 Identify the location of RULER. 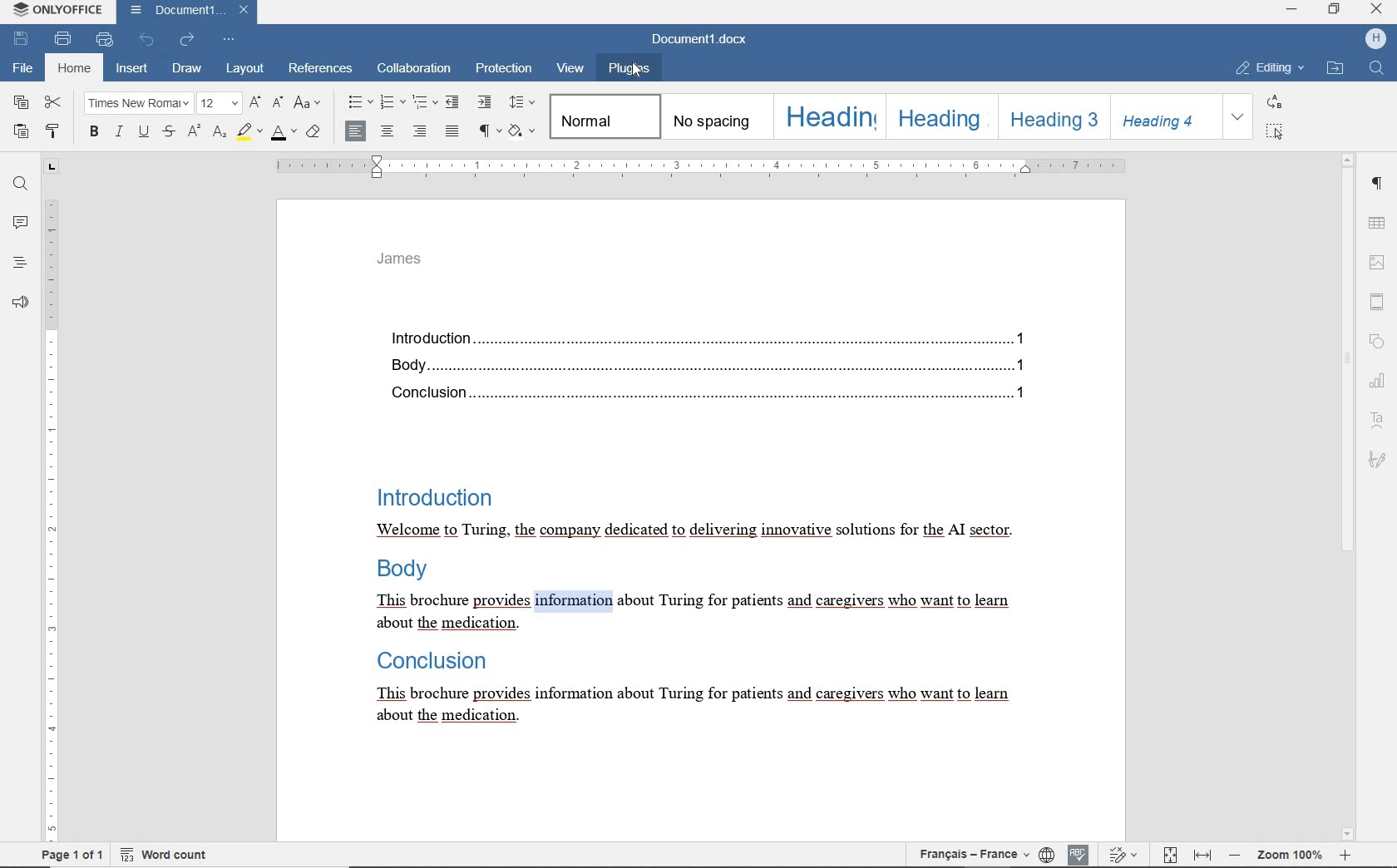
(49, 500).